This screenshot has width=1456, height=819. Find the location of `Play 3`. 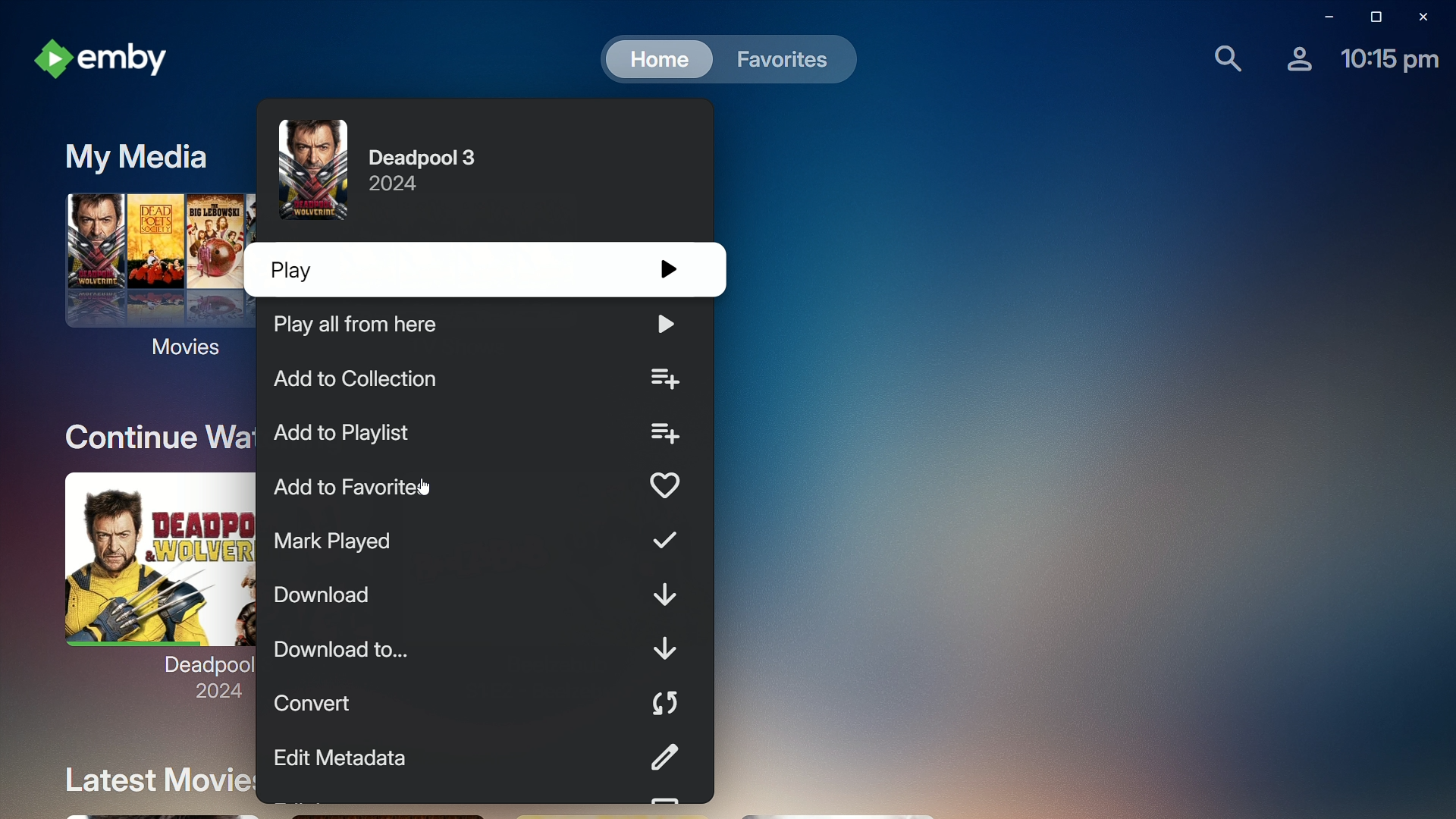

Play 3 is located at coordinates (475, 268).